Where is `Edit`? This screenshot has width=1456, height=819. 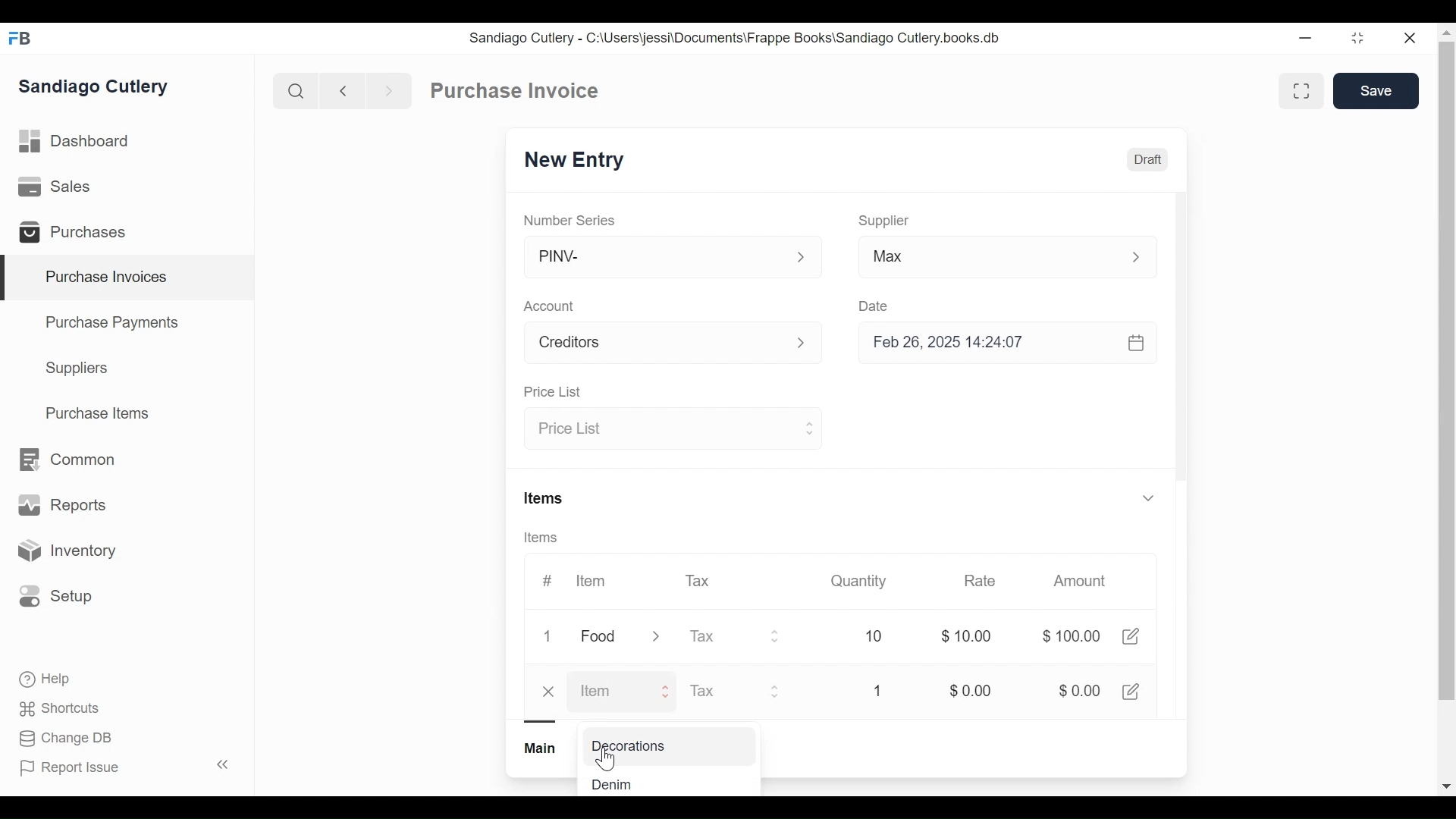
Edit is located at coordinates (1133, 690).